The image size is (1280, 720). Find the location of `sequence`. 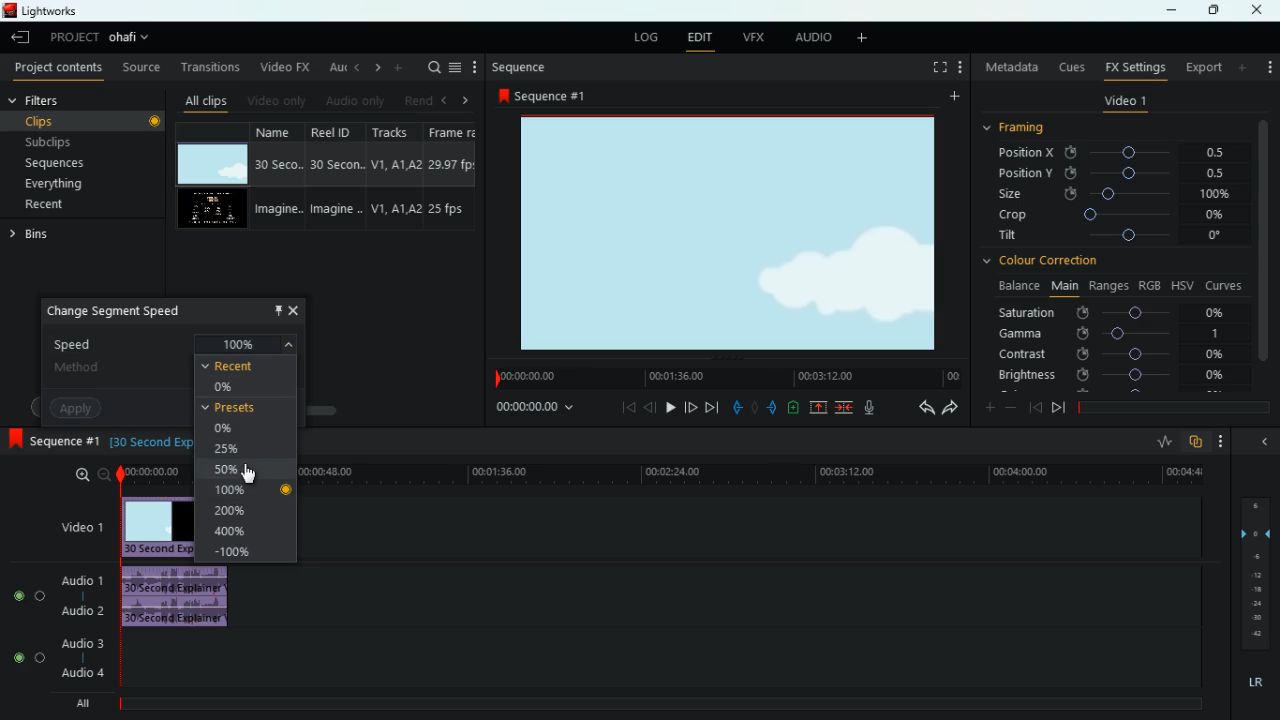

sequence is located at coordinates (542, 95).